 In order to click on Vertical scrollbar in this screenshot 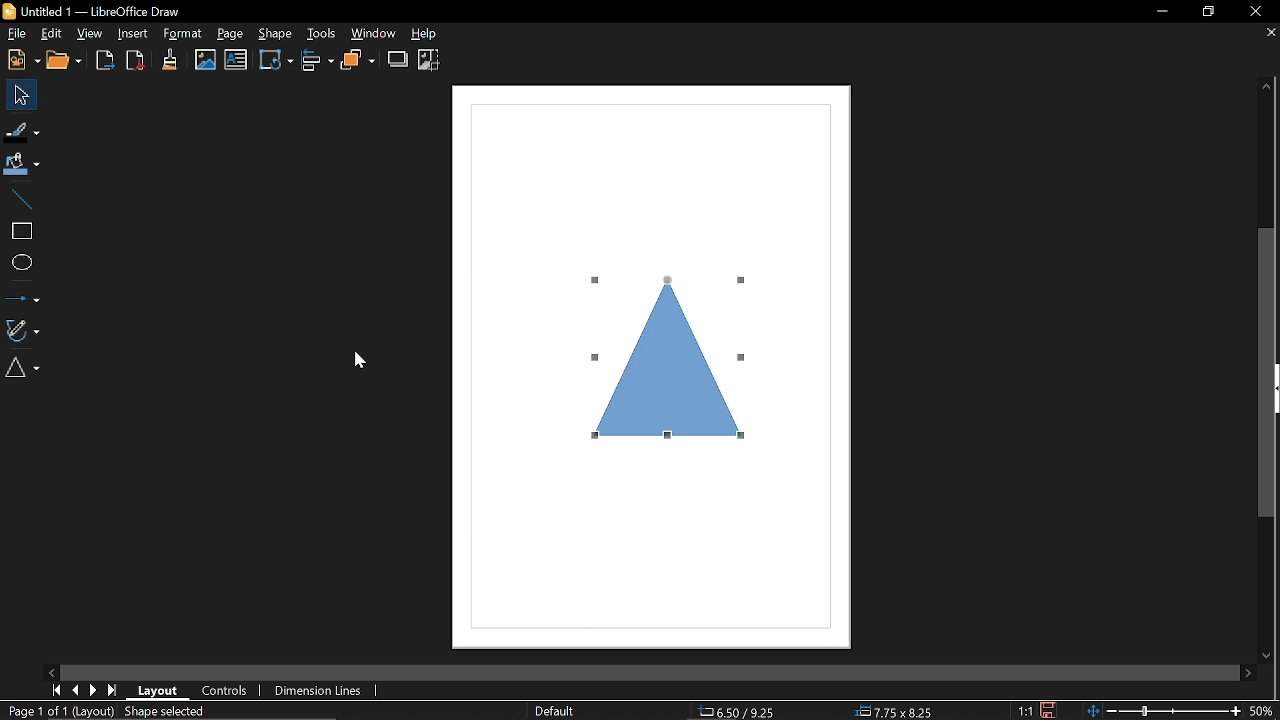, I will do `click(1269, 373)`.